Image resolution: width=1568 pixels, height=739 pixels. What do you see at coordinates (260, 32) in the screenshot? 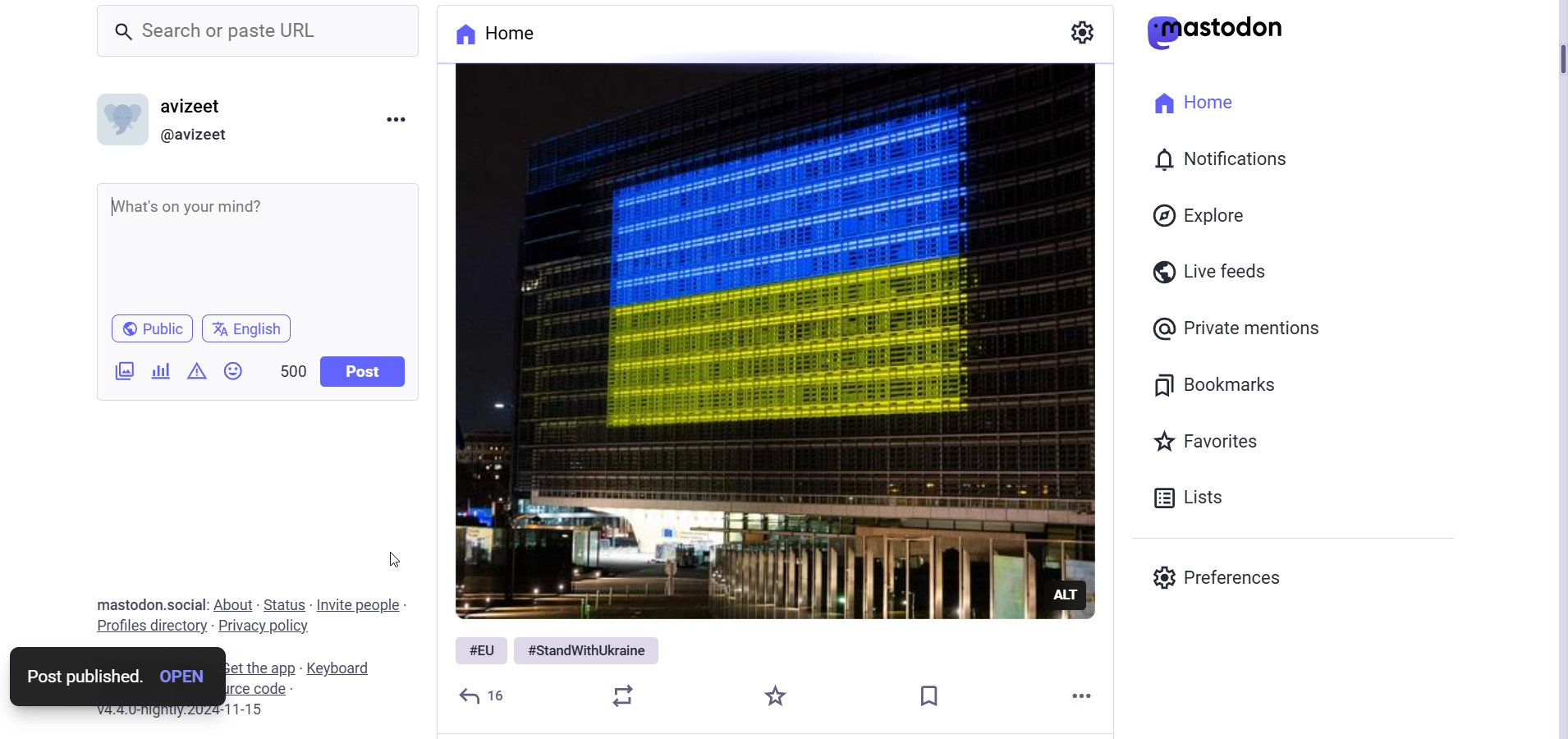
I see `Search` at bounding box center [260, 32].